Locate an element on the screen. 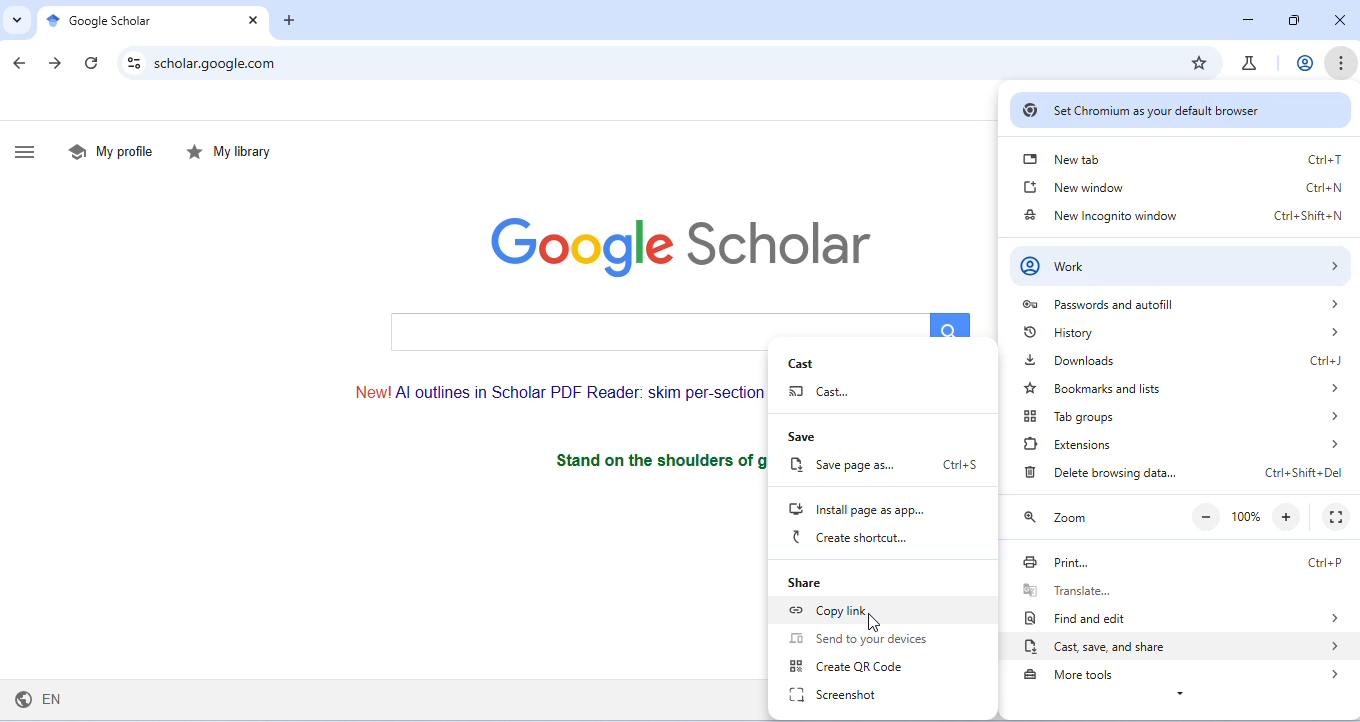 The width and height of the screenshot is (1360, 722). new tab is located at coordinates (1187, 157).